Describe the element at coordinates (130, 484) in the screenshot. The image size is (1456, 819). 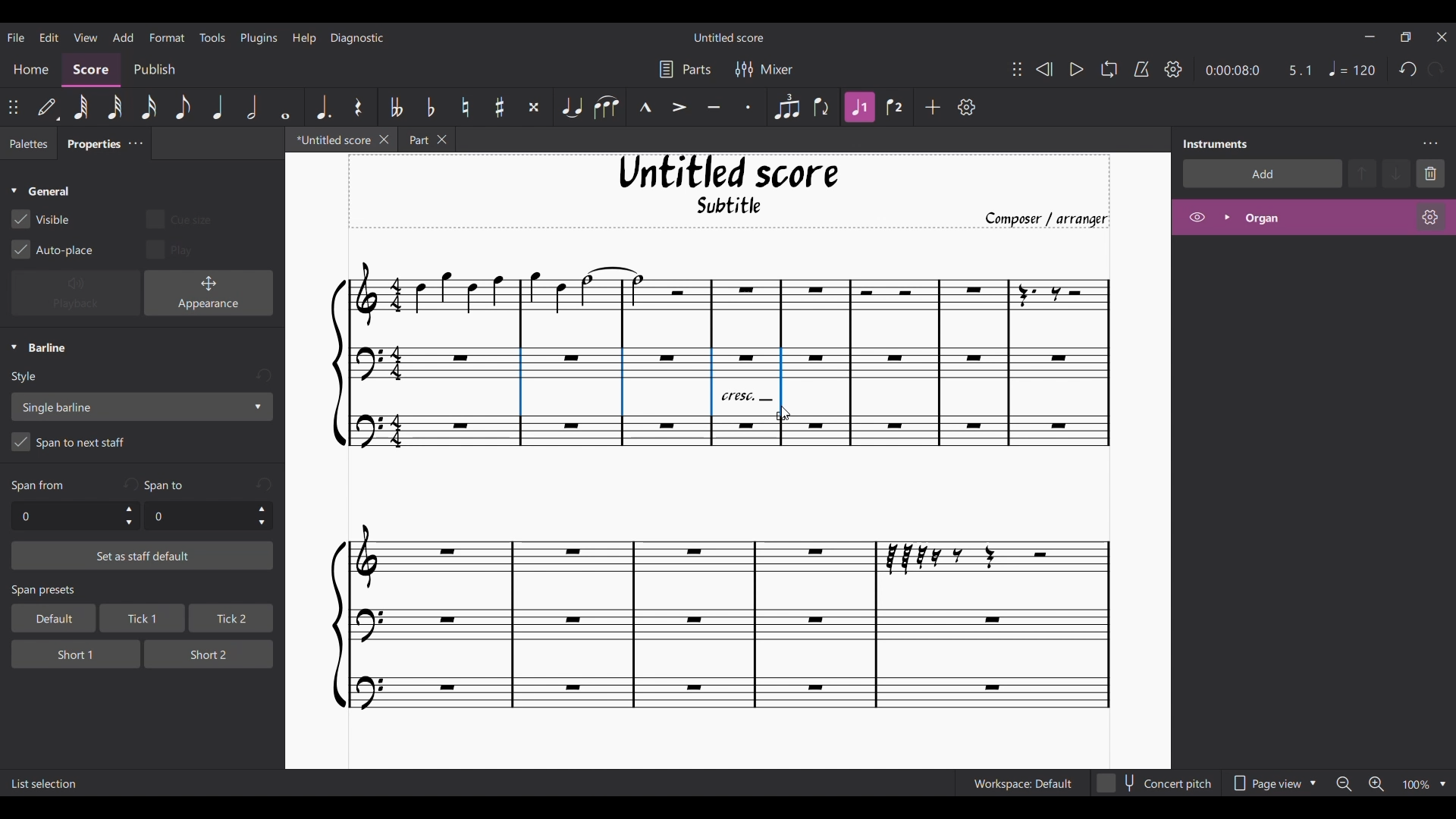
I see `Undo input made` at that location.